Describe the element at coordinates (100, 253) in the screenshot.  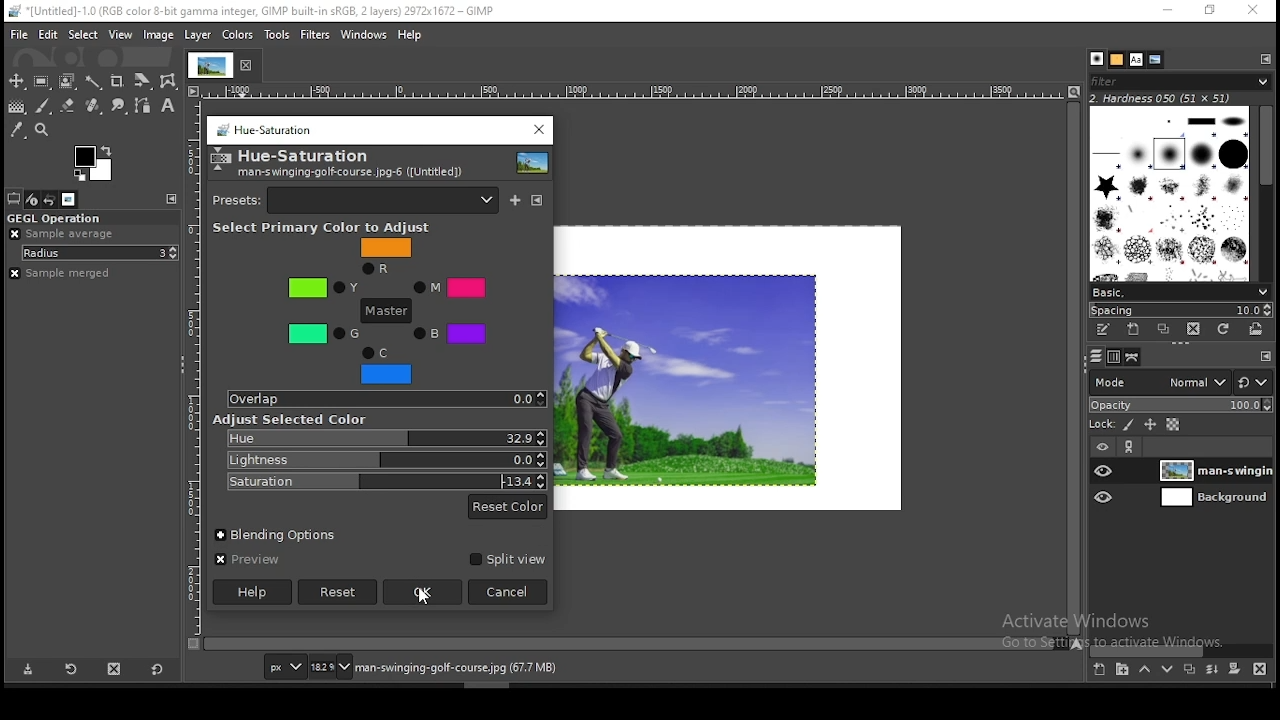
I see `radius` at that location.